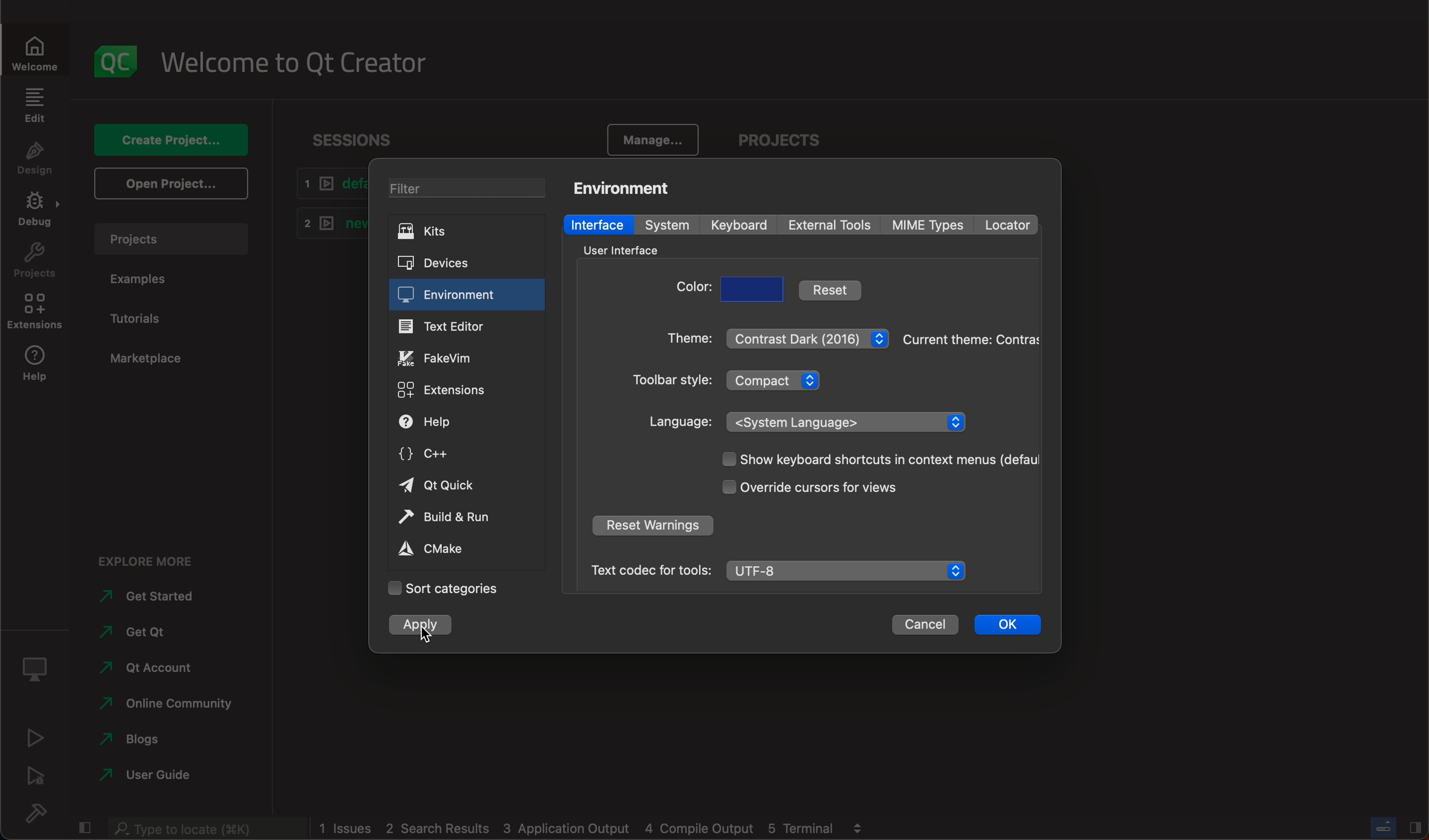  I want to click on theme, so click(969, 338).